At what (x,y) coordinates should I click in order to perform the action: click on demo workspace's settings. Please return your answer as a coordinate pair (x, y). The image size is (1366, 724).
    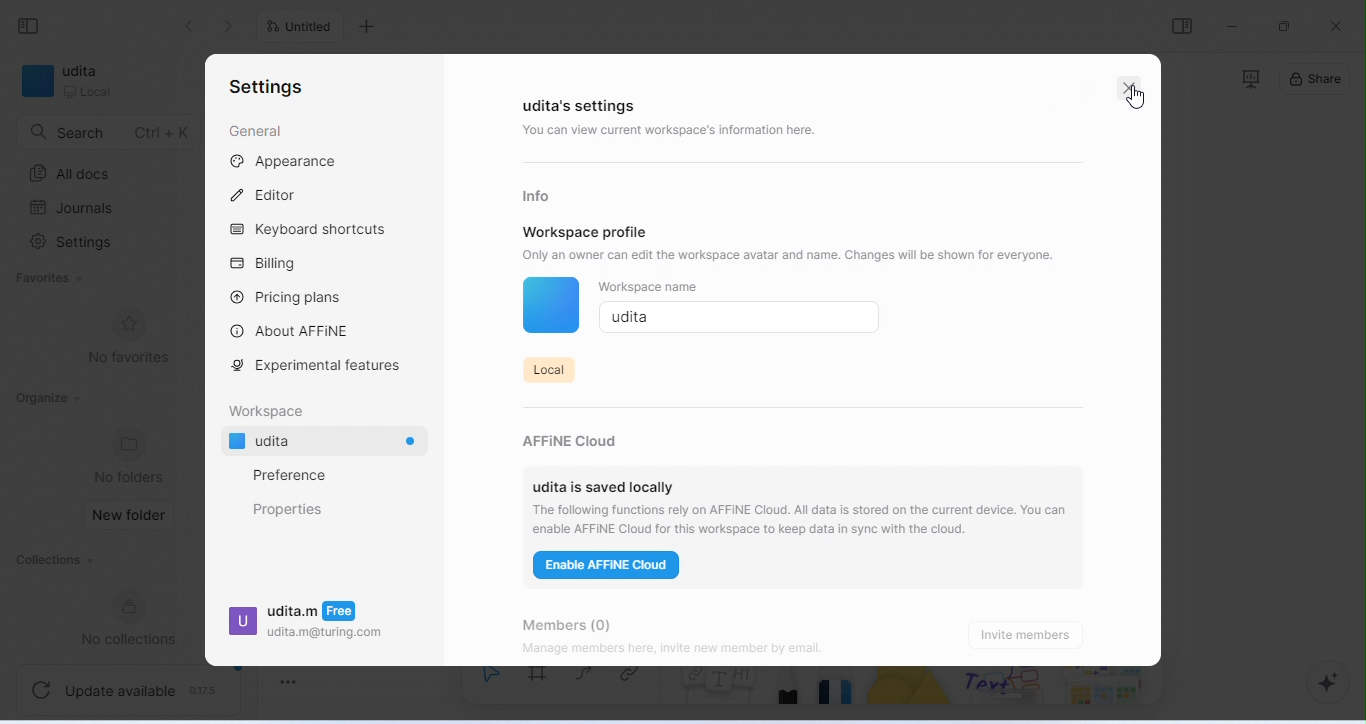
    Looking at the image, I should click on (628, 107).